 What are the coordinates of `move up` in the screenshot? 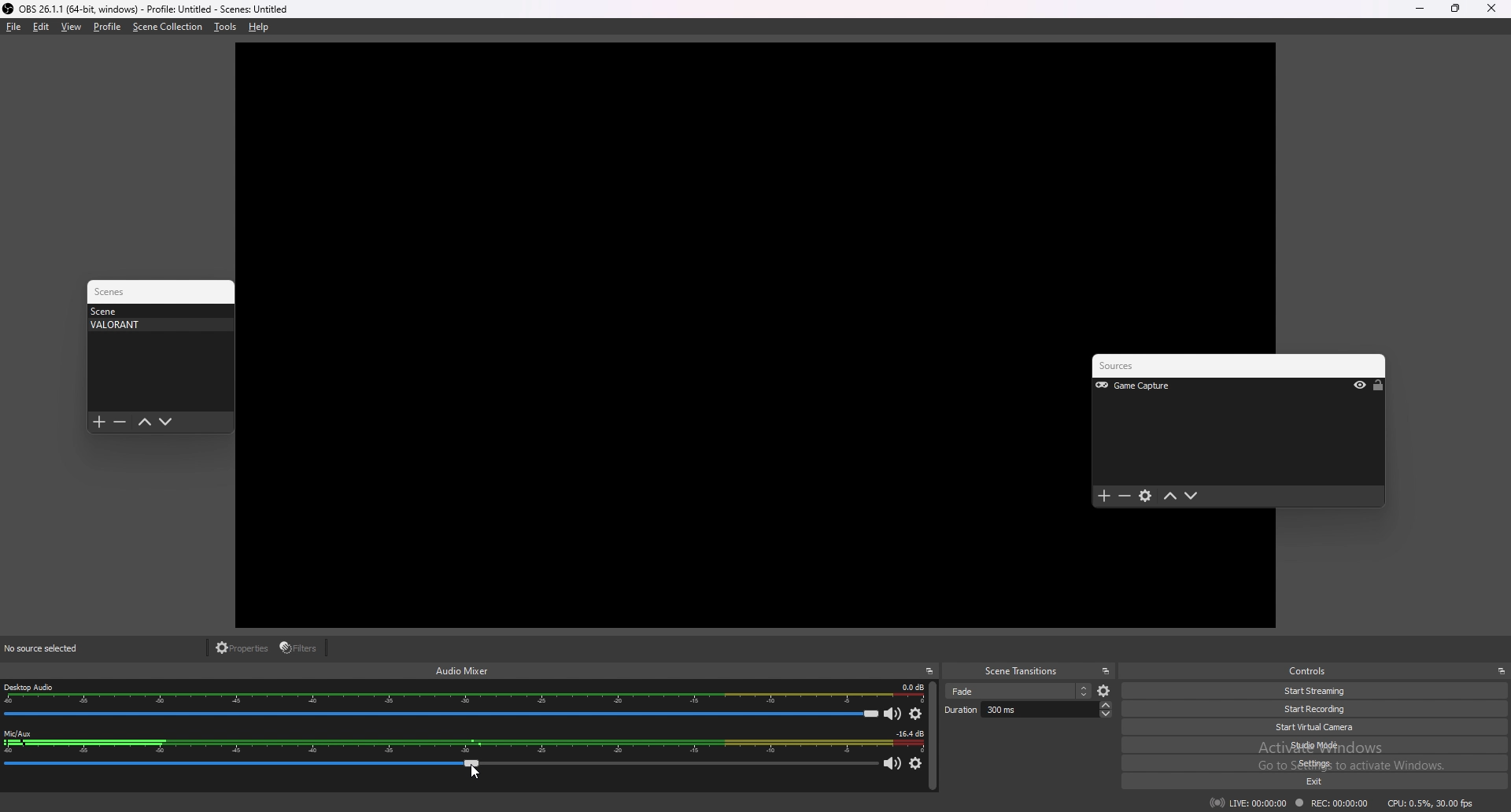 It's located at (144, 423).